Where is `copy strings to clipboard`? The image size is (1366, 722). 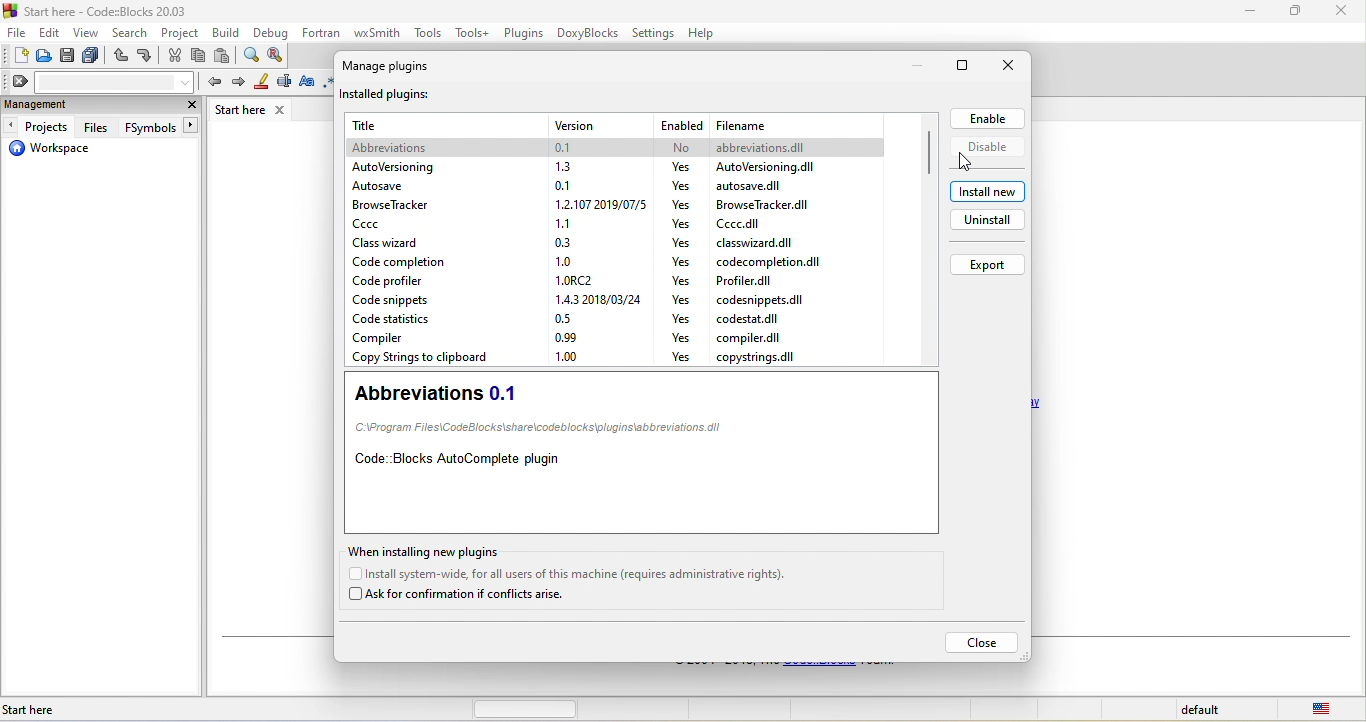
copy strings to clipboard is located at coordinates (420, 359).